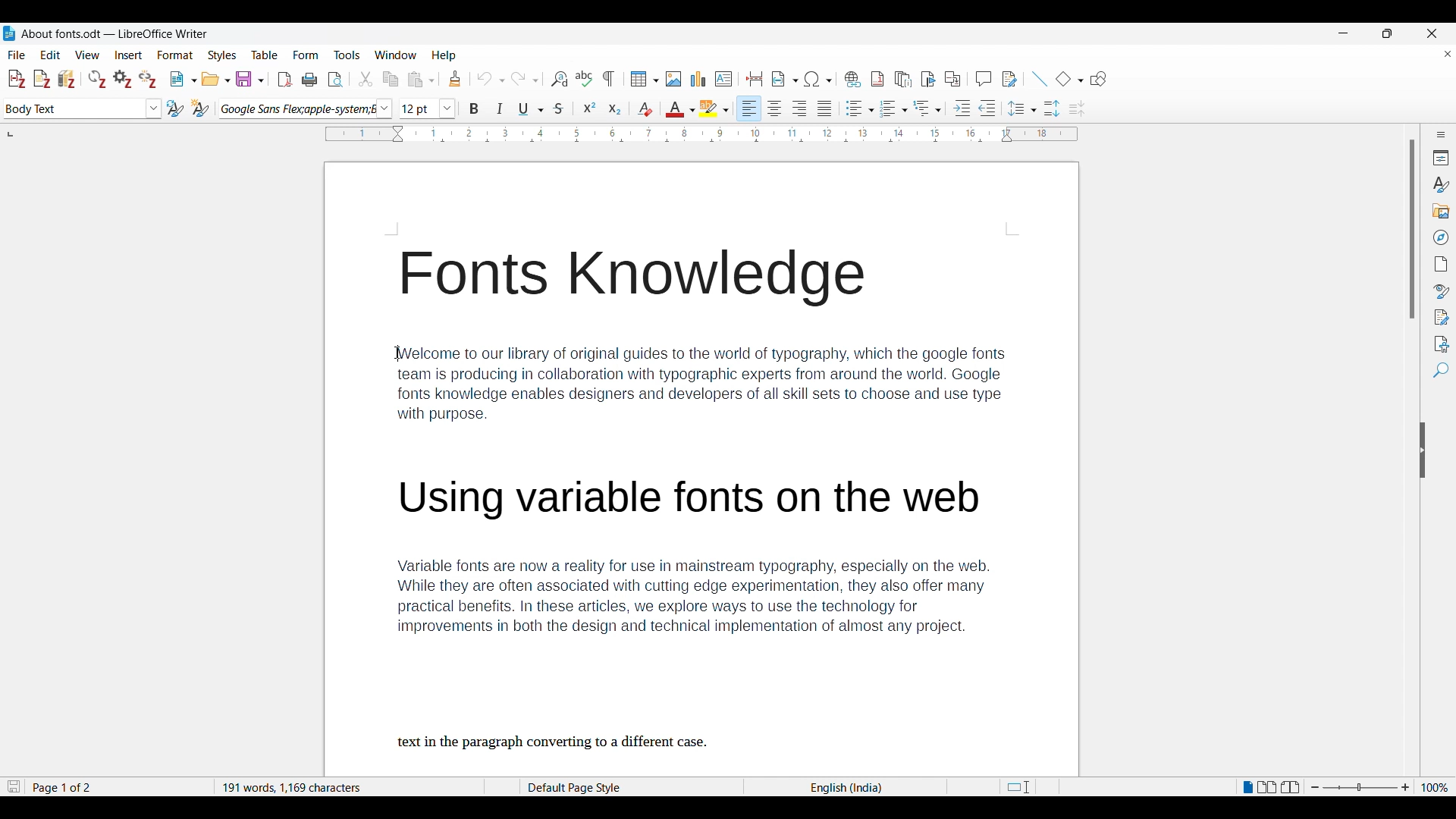 This screenshot has width=1456, height=819. What do you see at coordinates (1070, 78) in the screenshot?
I see `Basic shape options` at bounding box center [1070, 78].